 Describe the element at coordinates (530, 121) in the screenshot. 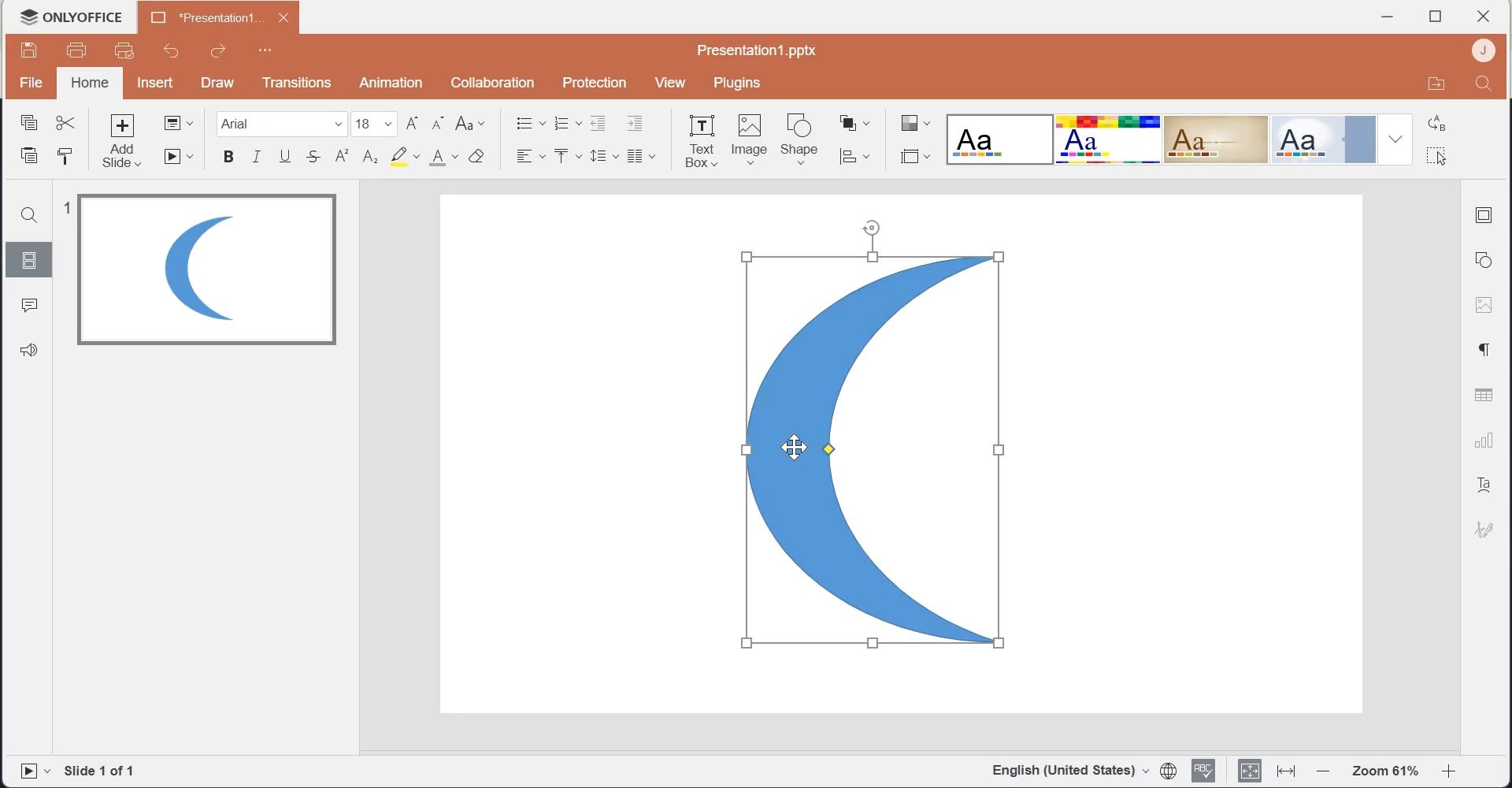

I see `Bullets` at that location.